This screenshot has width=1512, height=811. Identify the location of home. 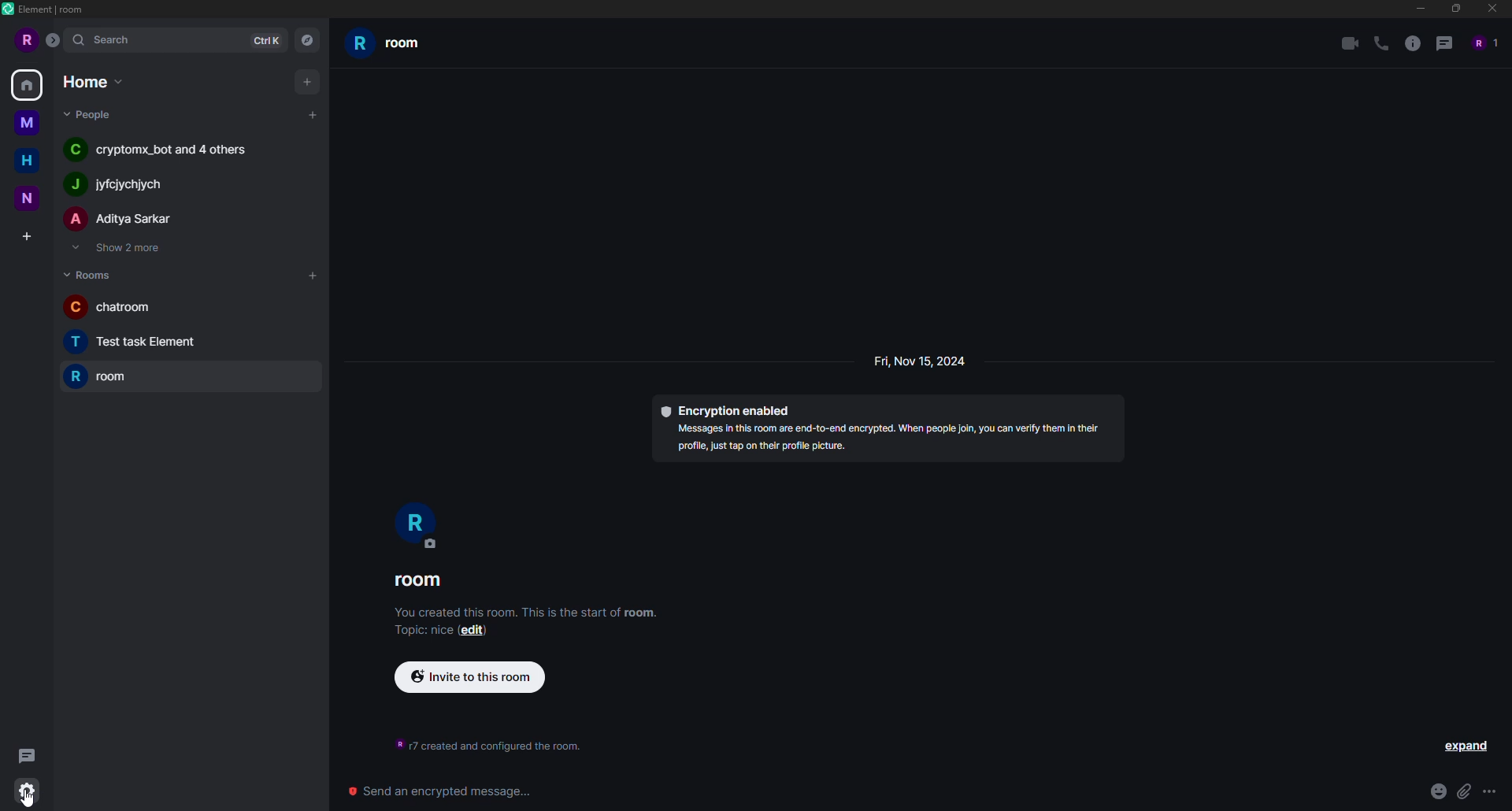
(28, 84).